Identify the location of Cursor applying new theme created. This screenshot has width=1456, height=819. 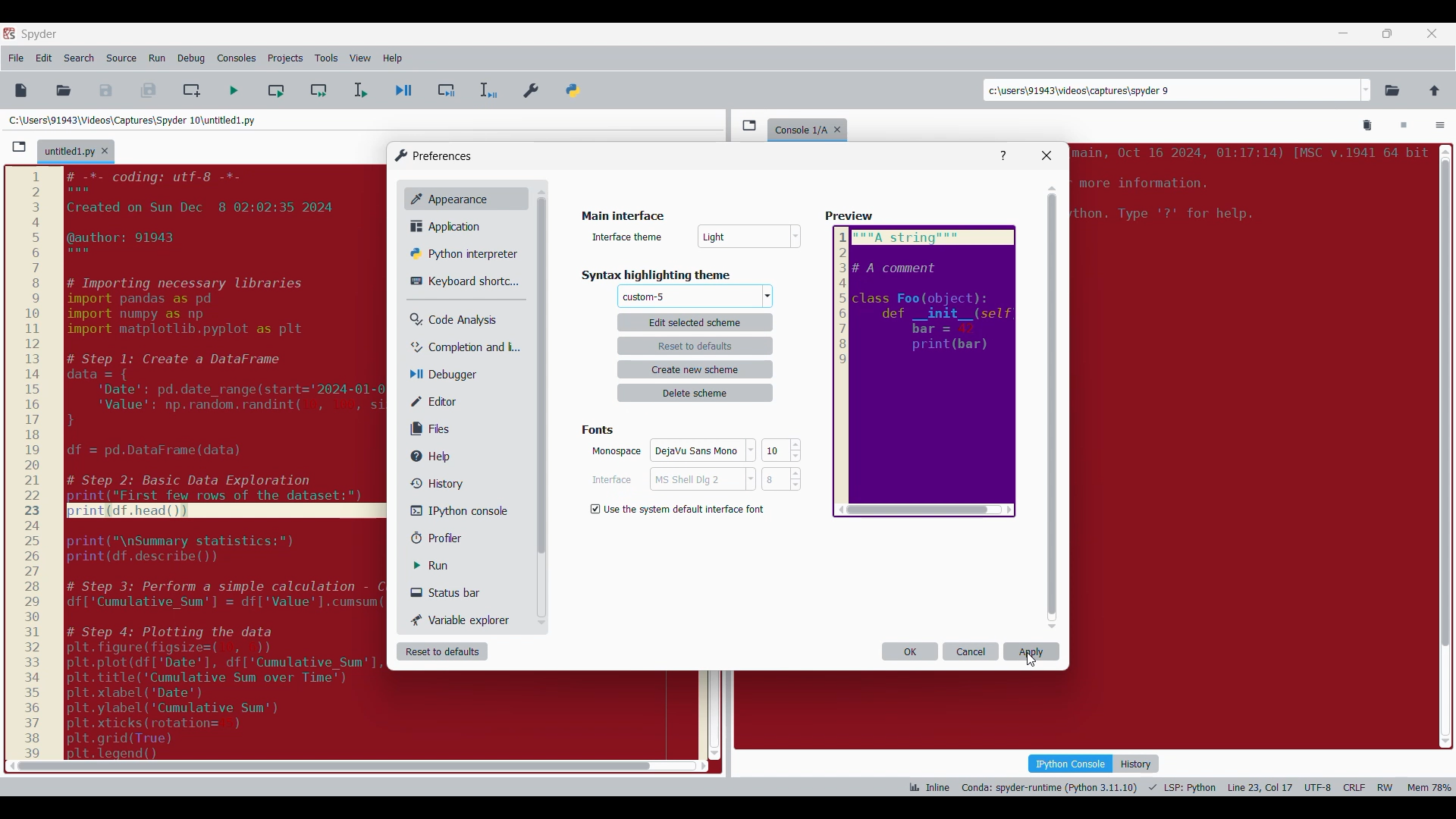
(1031, 660).